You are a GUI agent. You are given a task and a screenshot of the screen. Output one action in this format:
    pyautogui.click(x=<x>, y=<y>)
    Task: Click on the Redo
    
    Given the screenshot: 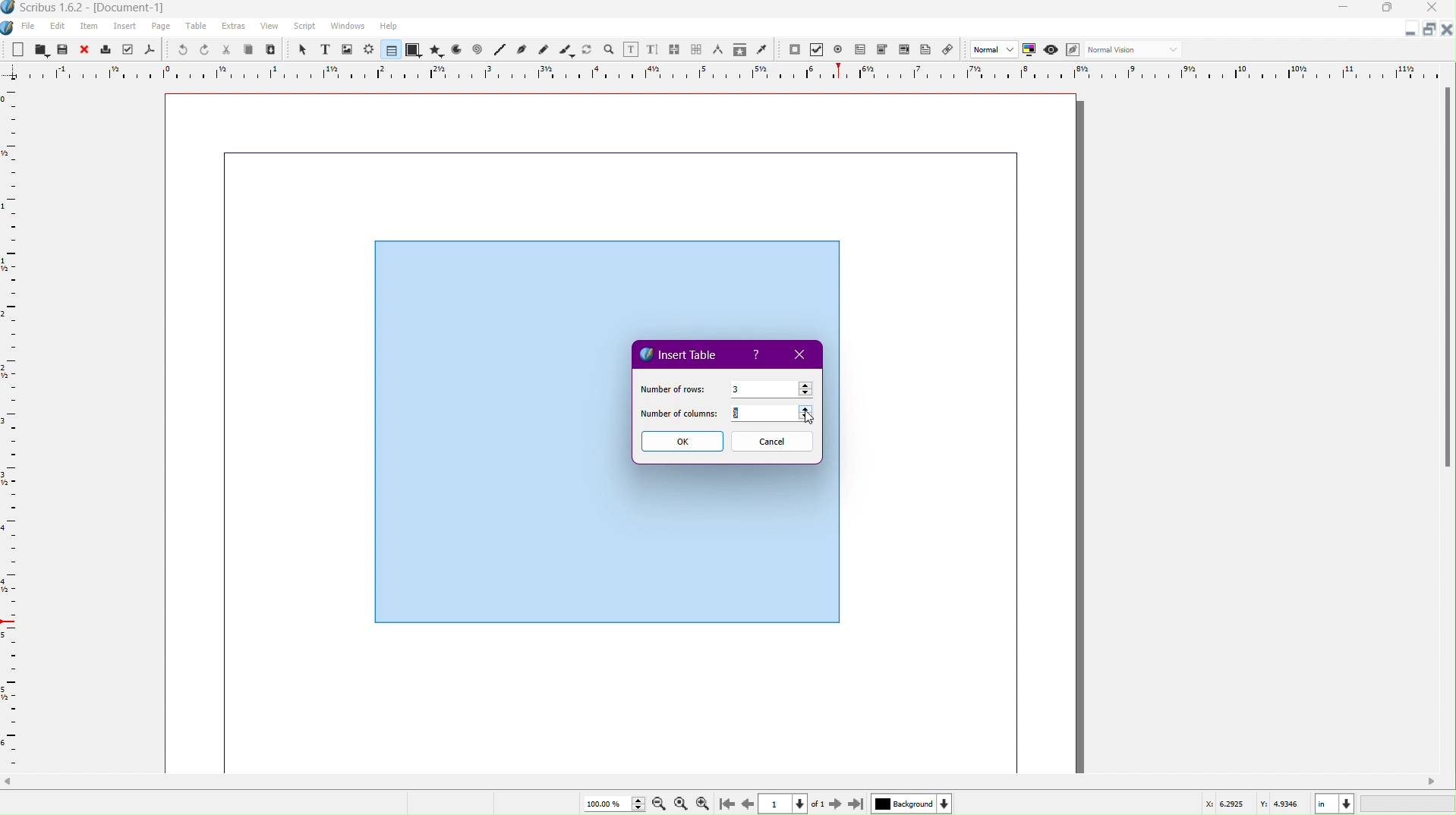 What is the action you would take?
    pyautogui.click(x=205, y=50)
    